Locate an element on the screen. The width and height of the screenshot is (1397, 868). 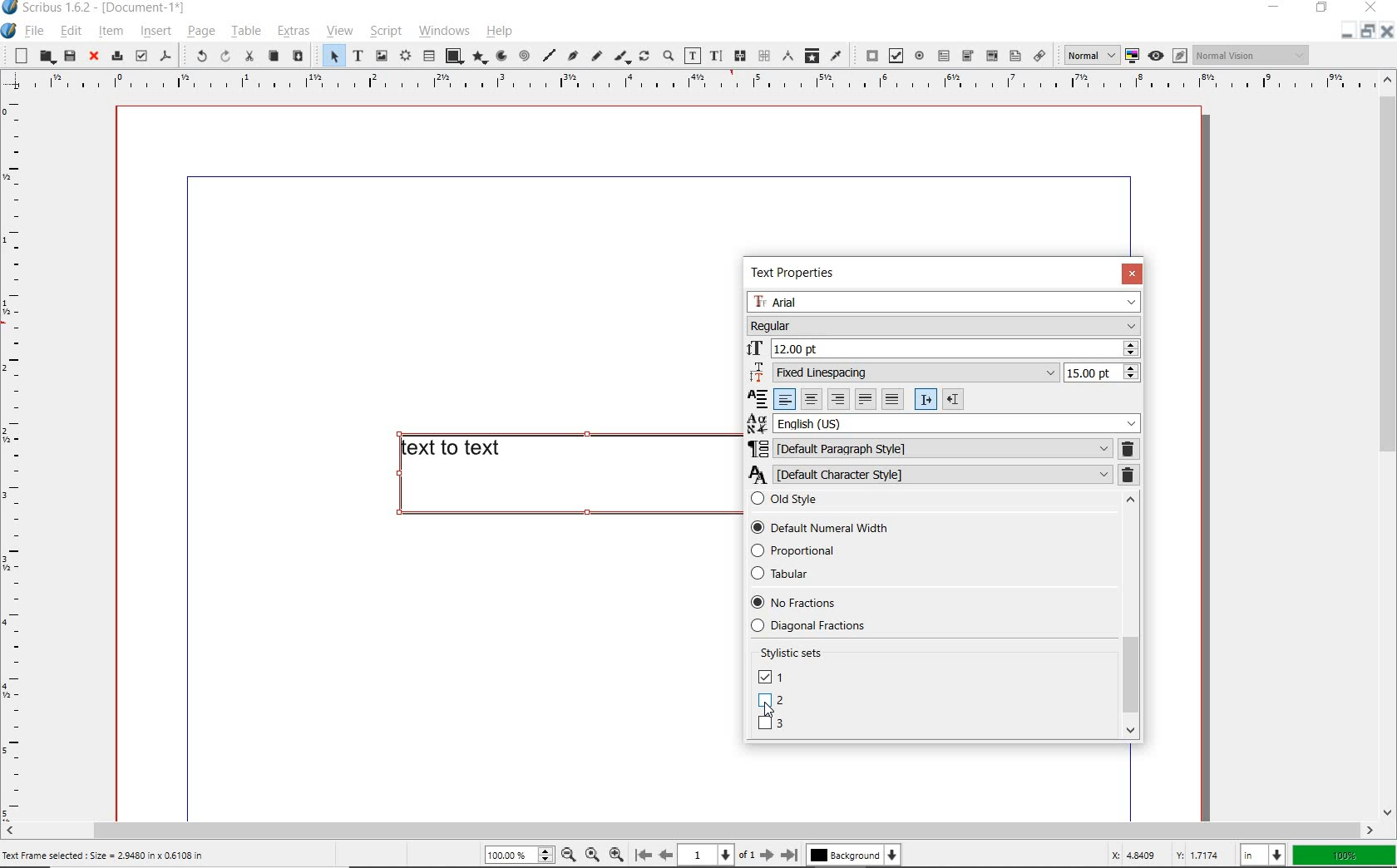
in is located at coordinates (1265, 854).